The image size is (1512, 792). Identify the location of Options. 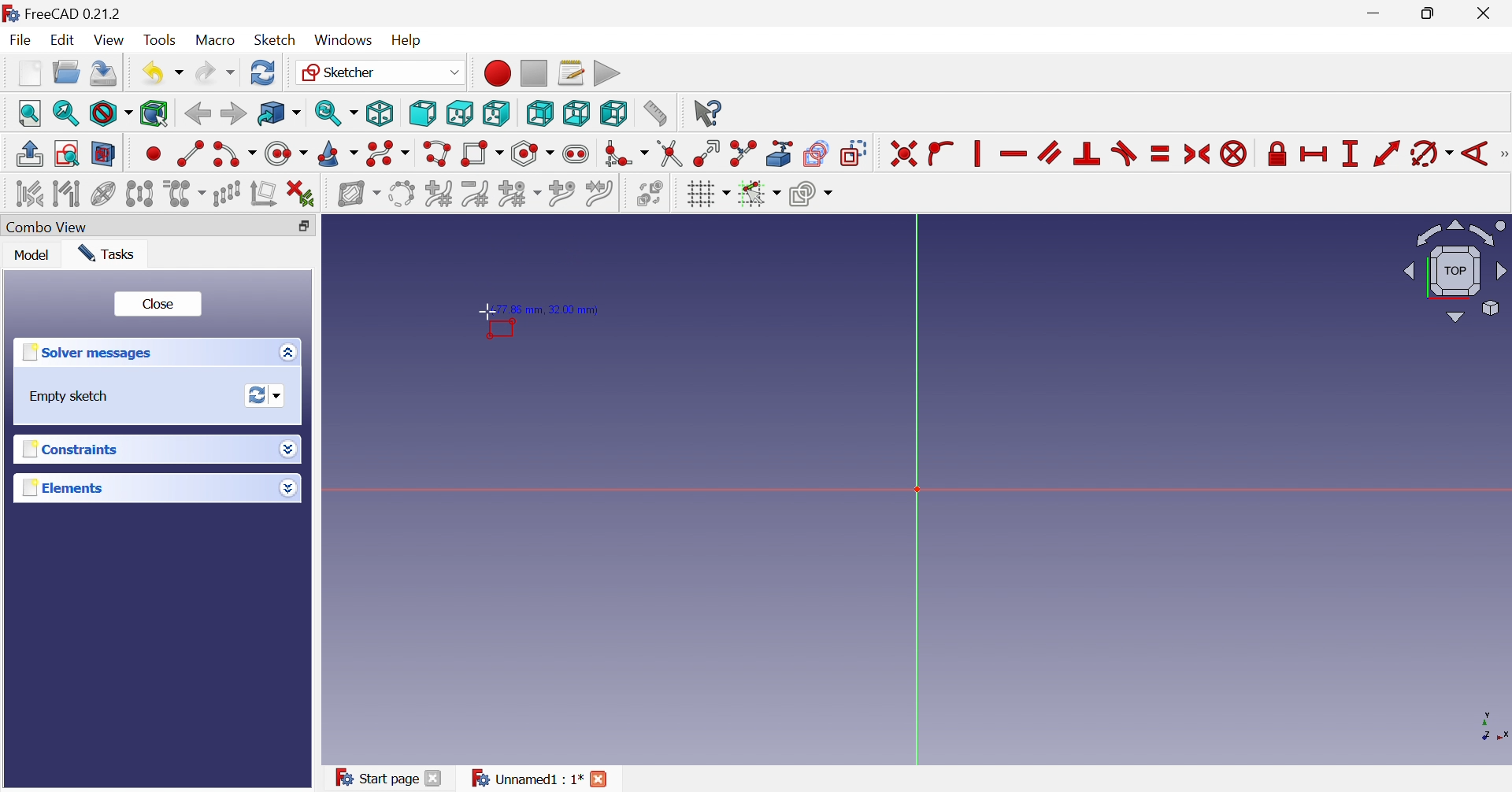
(284, 353).